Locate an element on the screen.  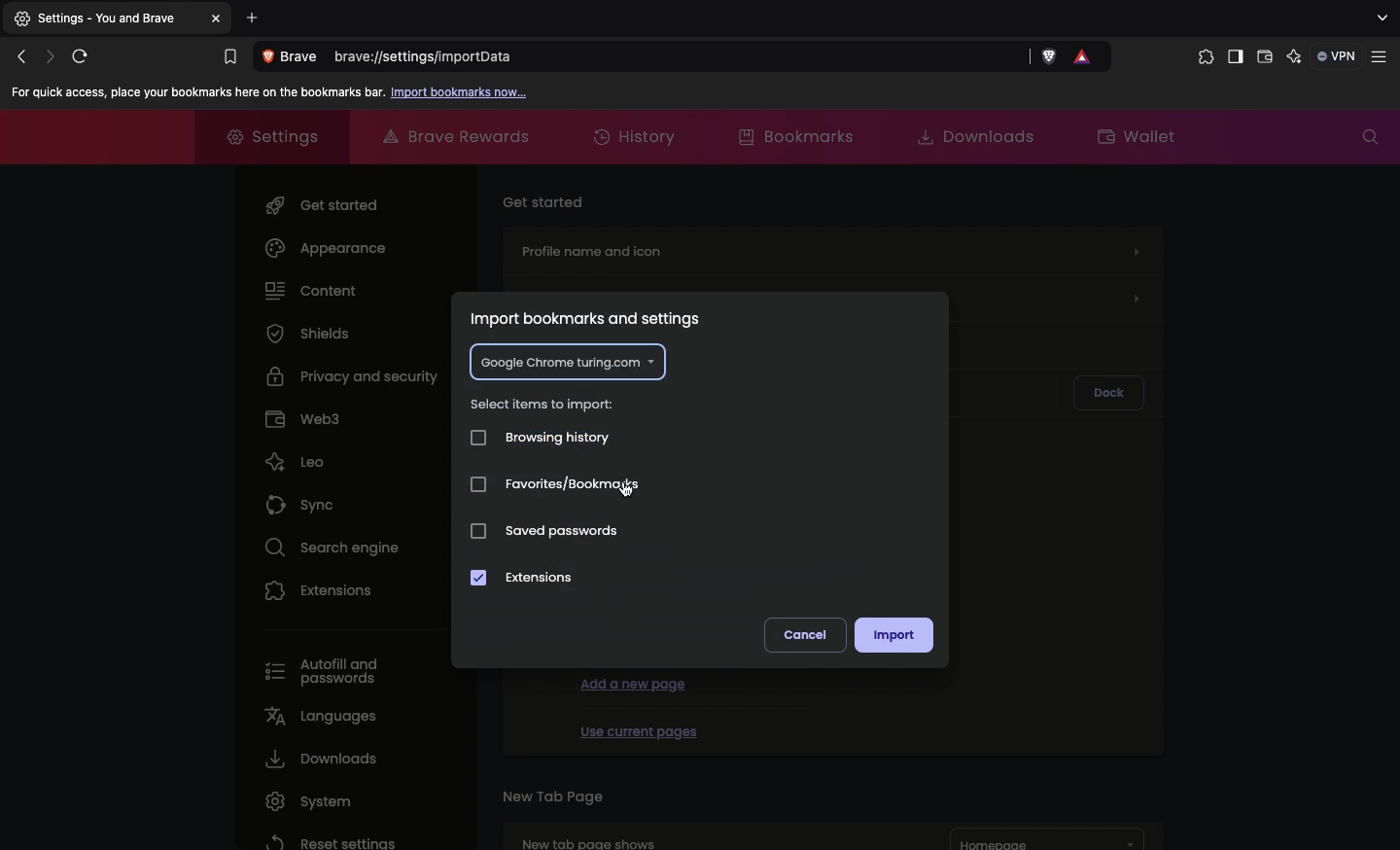
Downloads is located at coordinates (318, 759).